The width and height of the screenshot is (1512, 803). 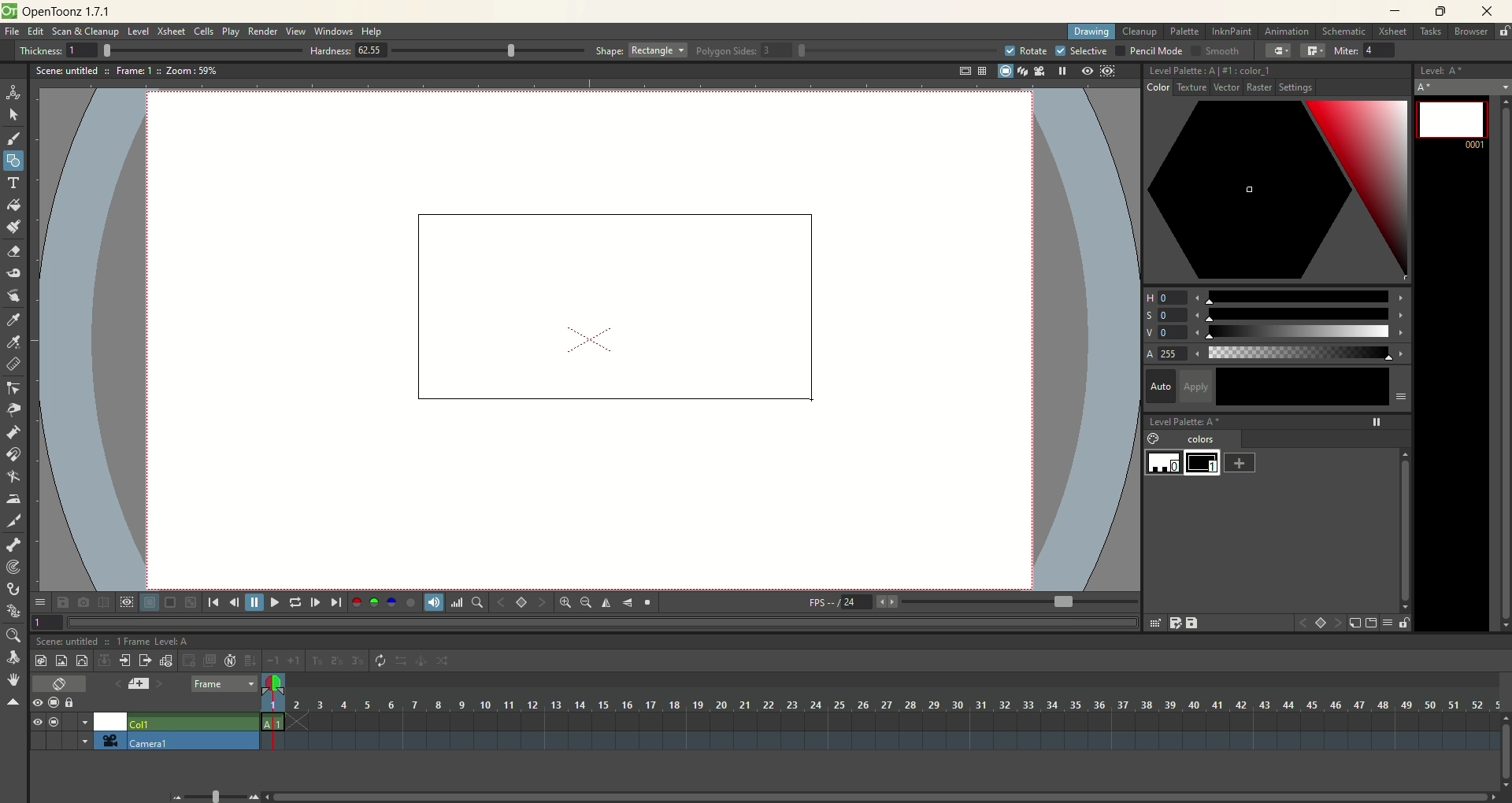 I want to click on 001 level, so click(x=1451, y=122).